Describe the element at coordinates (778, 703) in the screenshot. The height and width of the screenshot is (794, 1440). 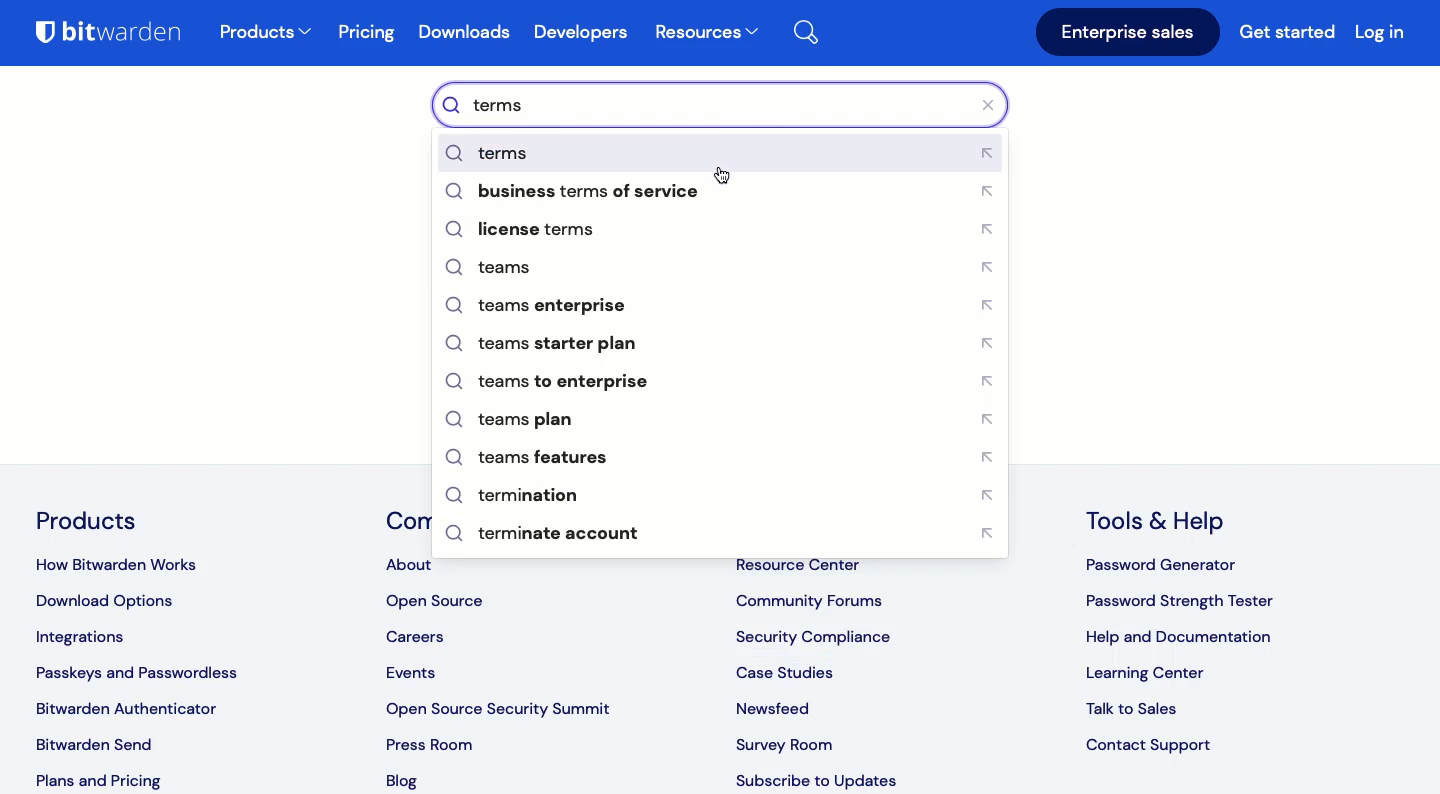
I see `newsfeed` at that location.